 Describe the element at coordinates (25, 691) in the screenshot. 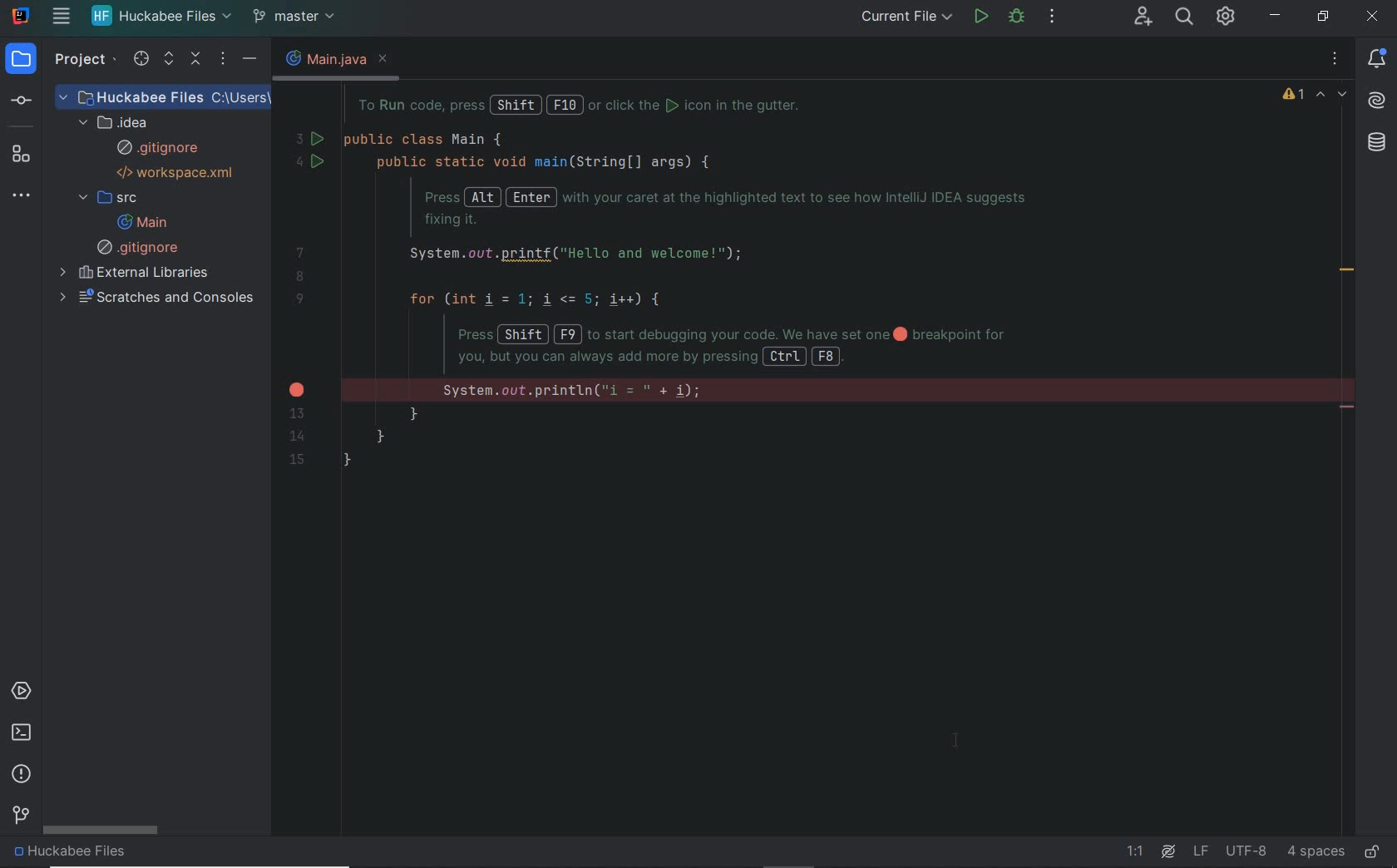

I see `services` at that location.